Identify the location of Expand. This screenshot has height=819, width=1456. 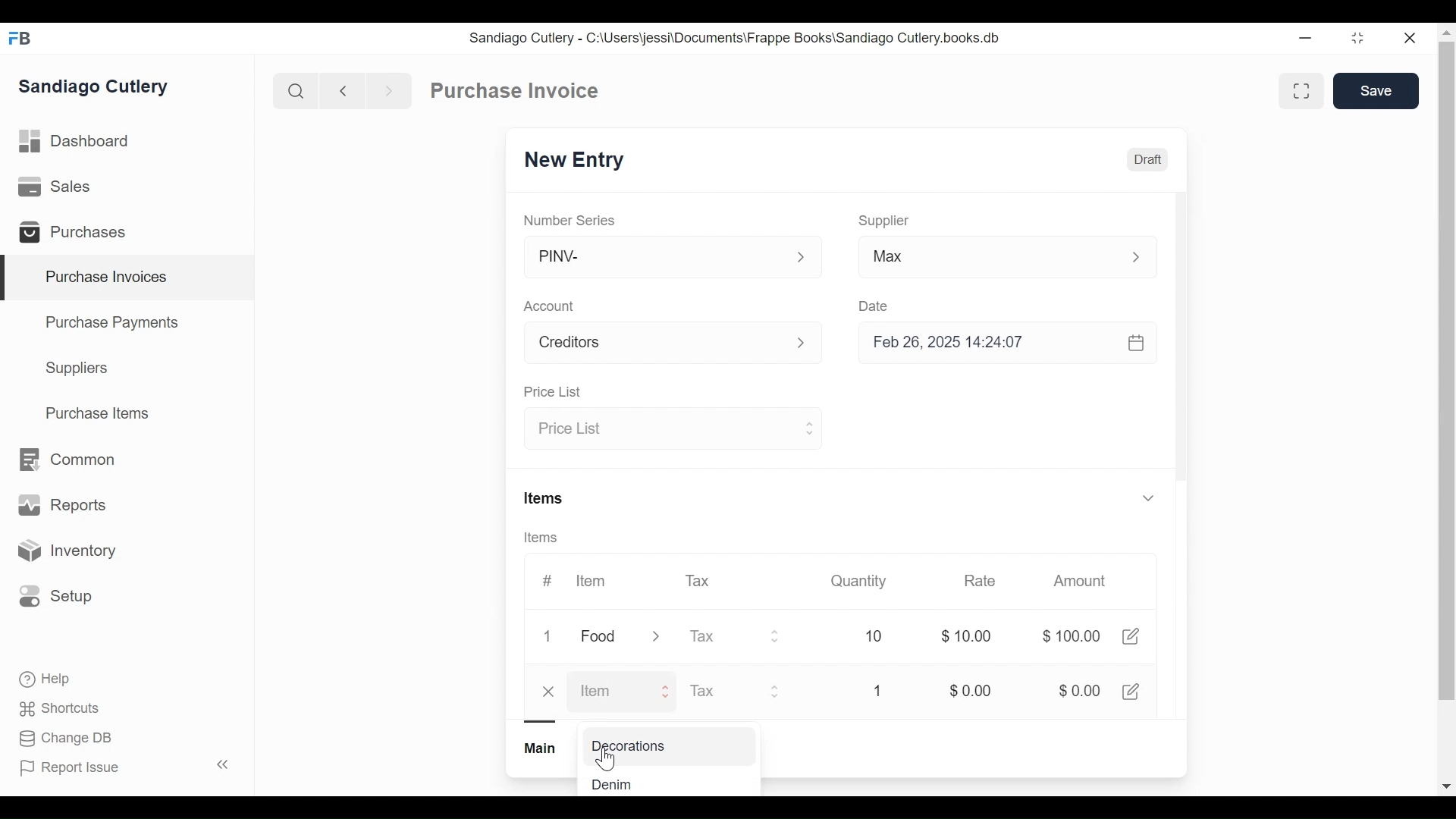
(660, 636).